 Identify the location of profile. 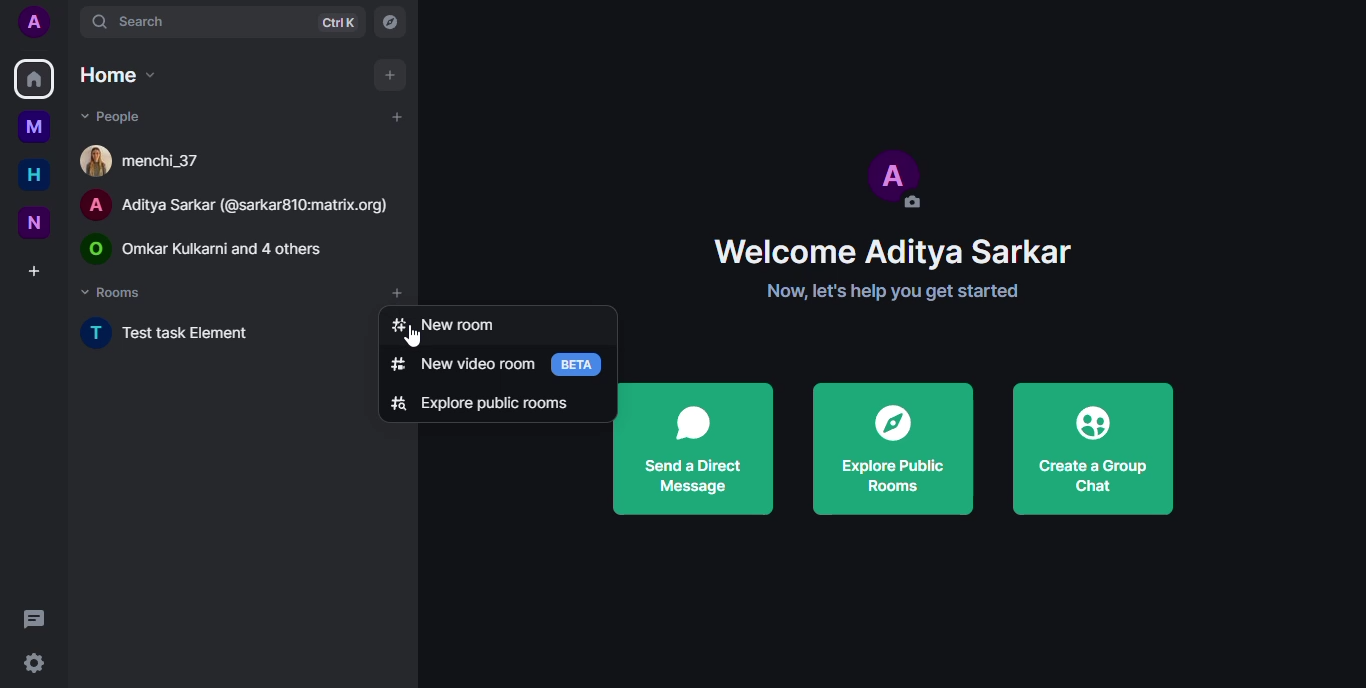
(33, 21).